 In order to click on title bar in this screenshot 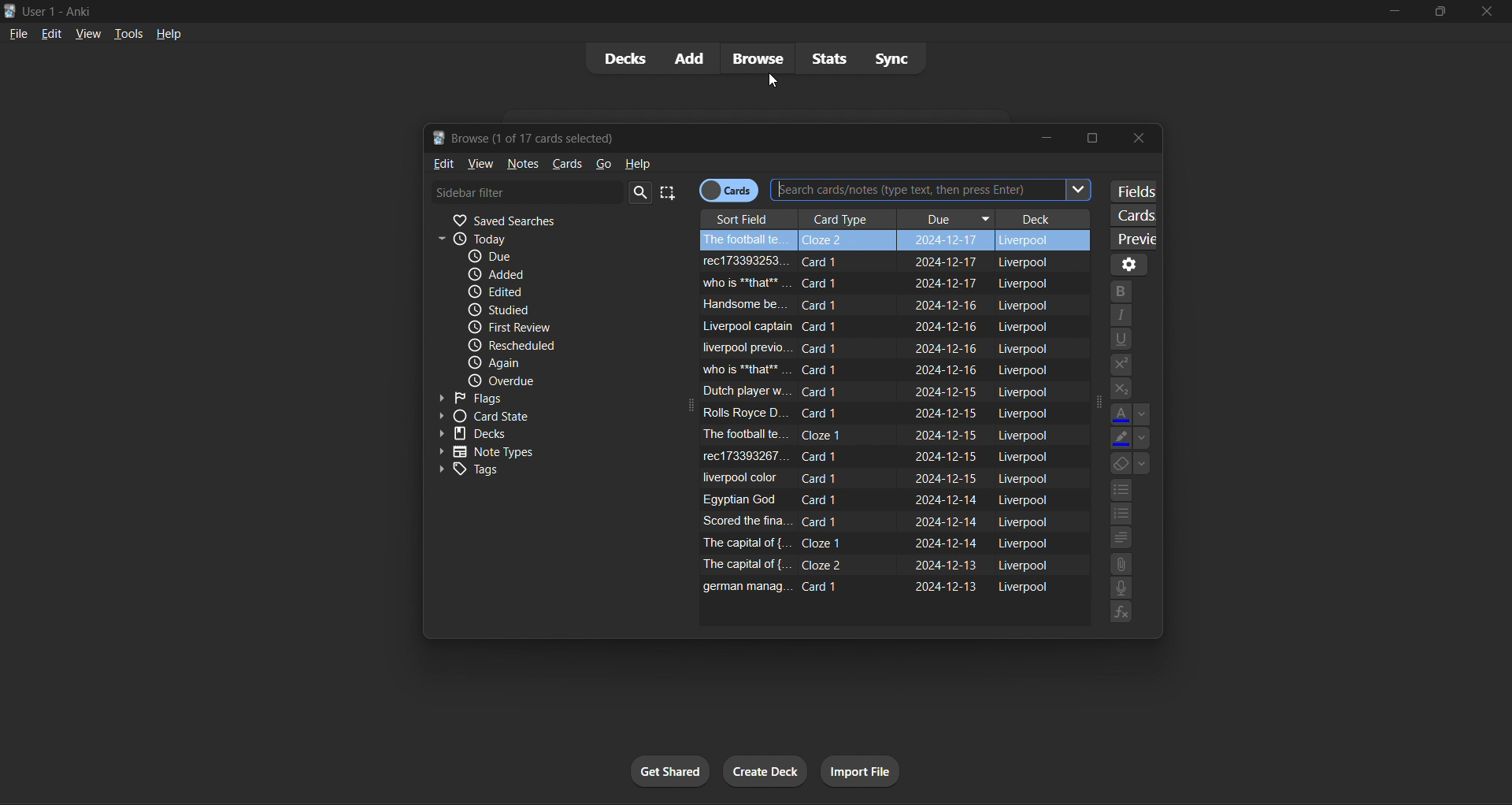, I will do `click(70, 11)`.